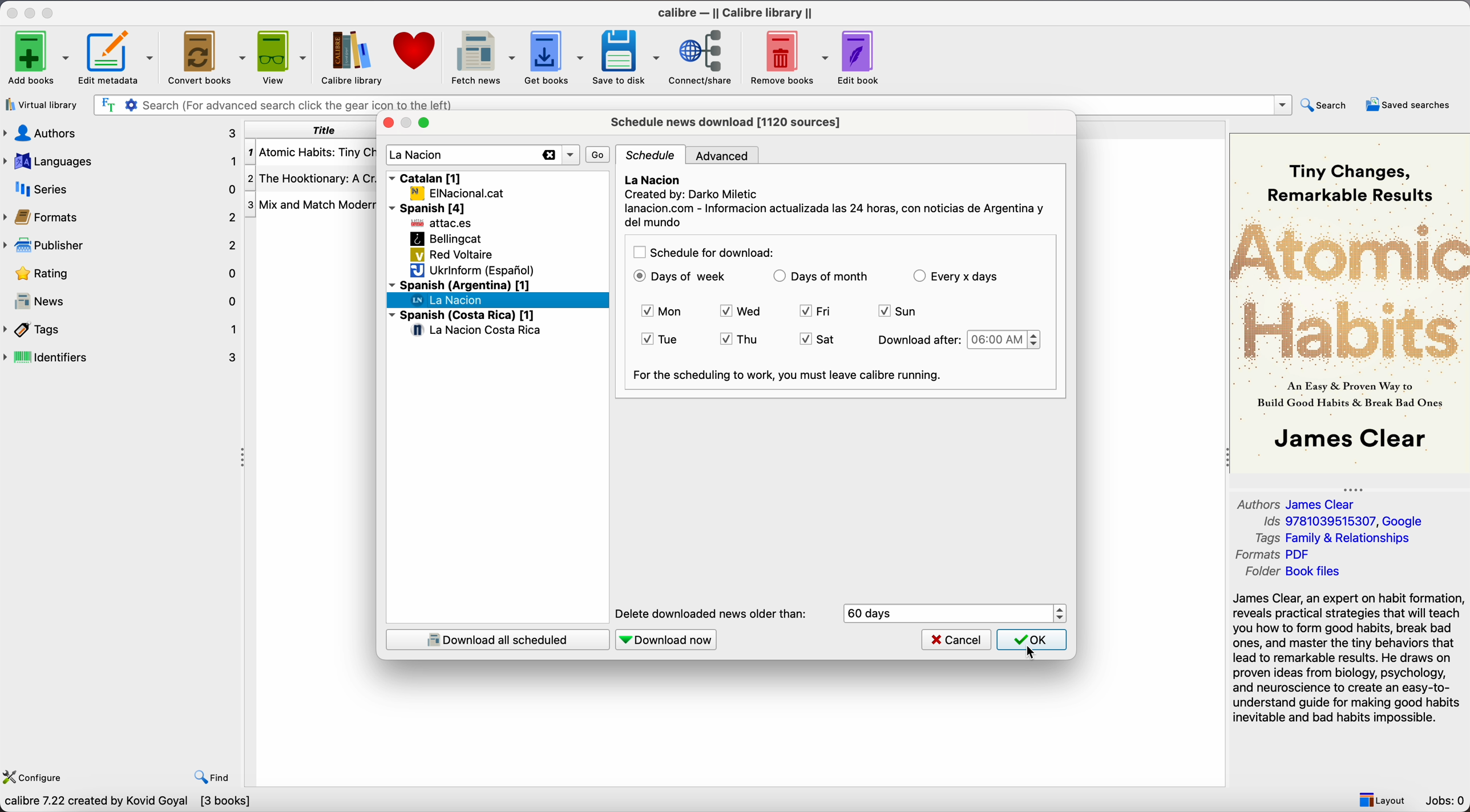  What do you see at coordinates (1347, 522) in the screenshot?
I see `Ids 9781039515307, Google` at bounding box center [1347, 522].